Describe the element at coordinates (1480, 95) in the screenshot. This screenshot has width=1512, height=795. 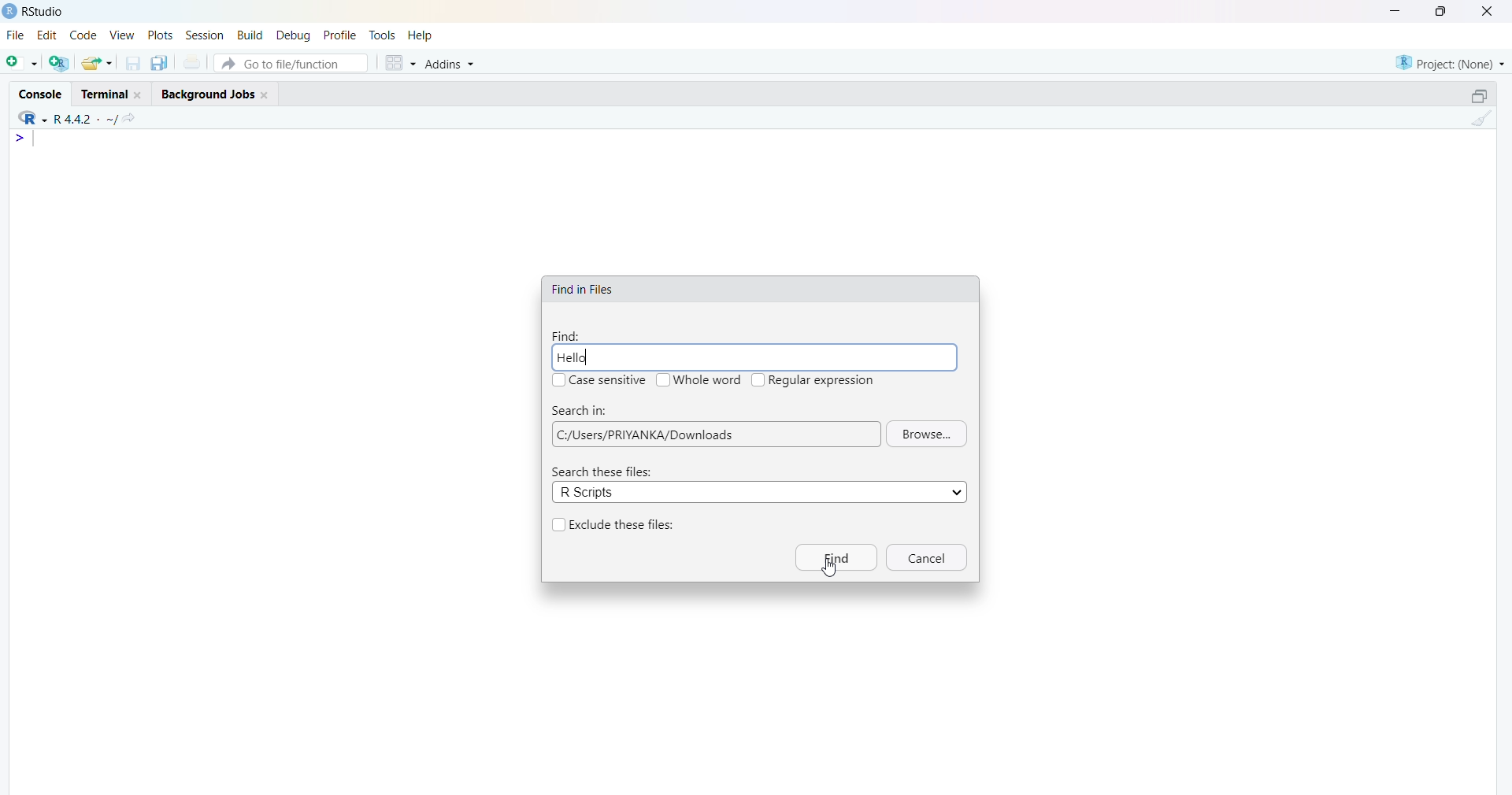
I see `open in separate window` at that location.